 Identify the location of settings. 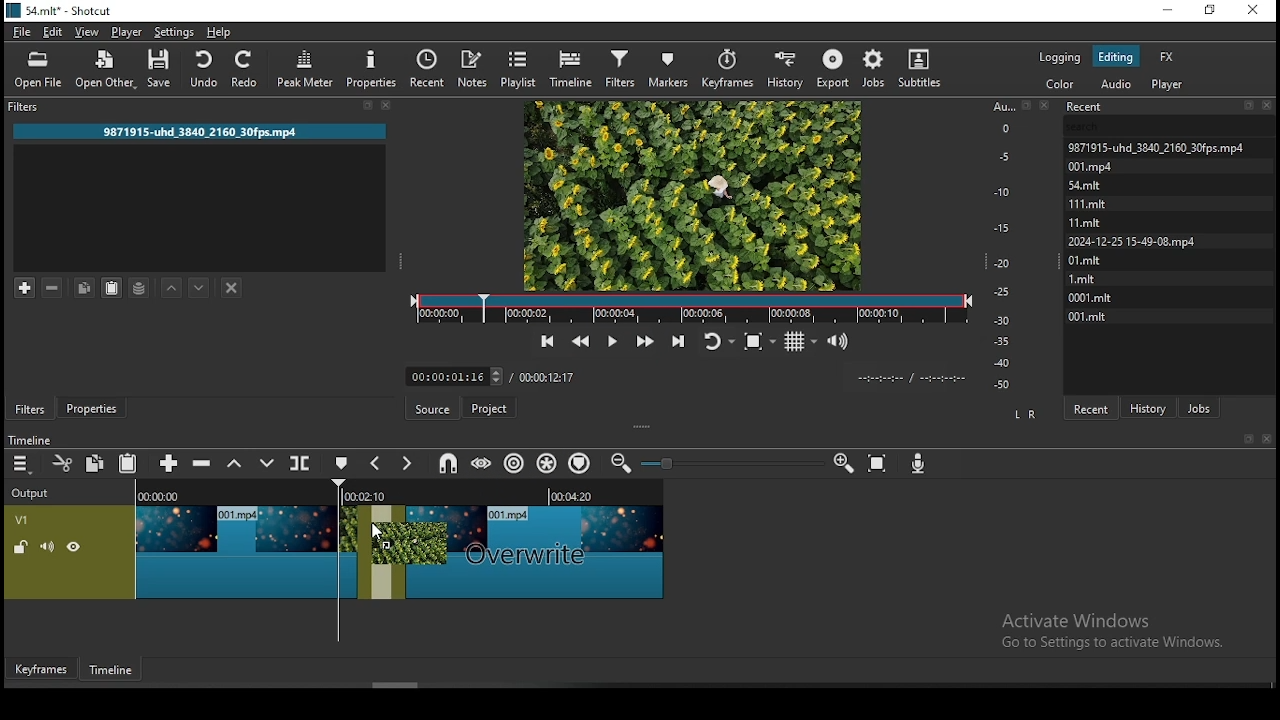
(173, 33).